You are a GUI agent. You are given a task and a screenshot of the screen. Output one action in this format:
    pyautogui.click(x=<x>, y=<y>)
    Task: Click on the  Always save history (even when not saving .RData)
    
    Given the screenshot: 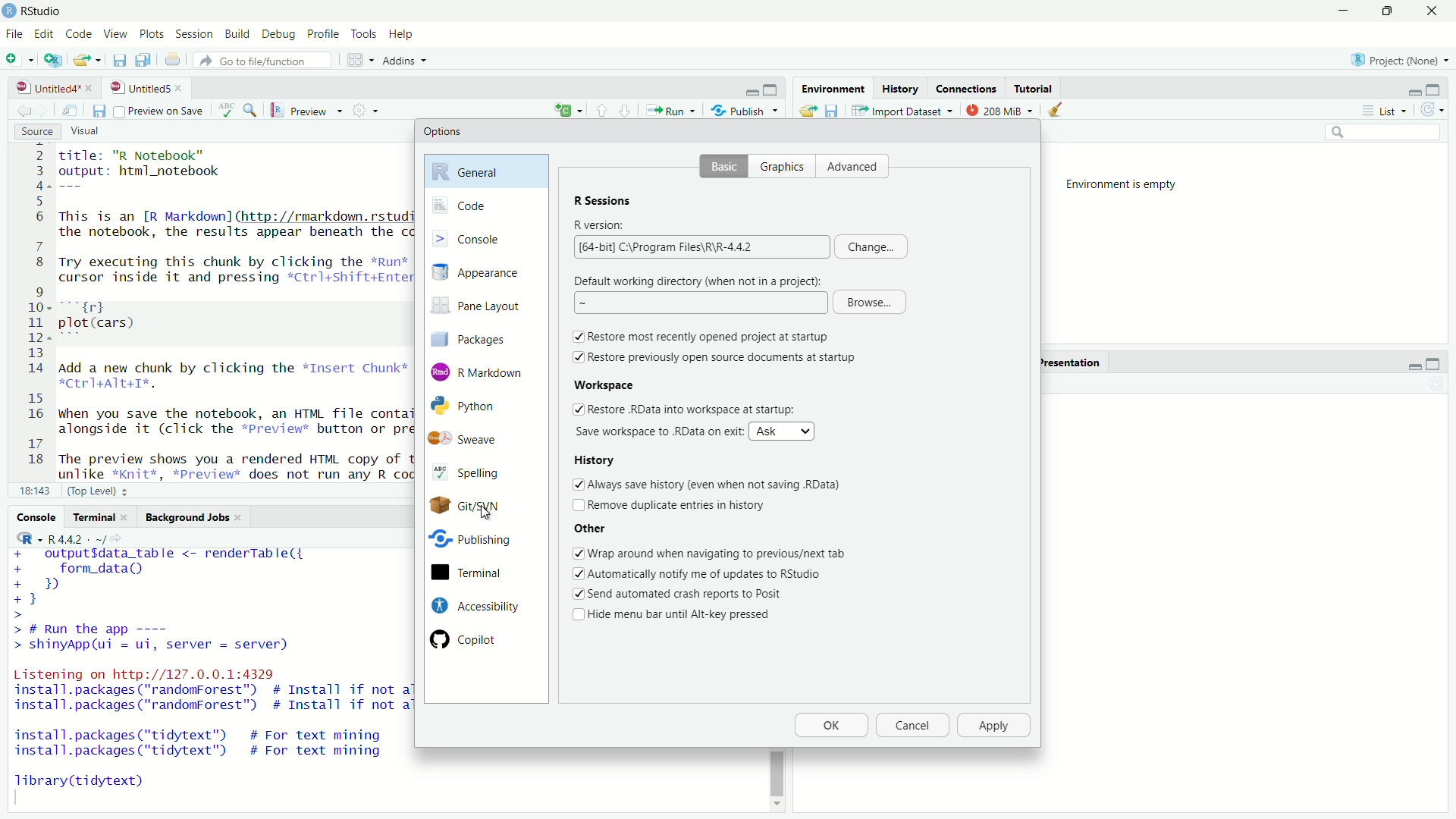 What is the action you would take?
    pyautogui.click(x=718, y=482)
    